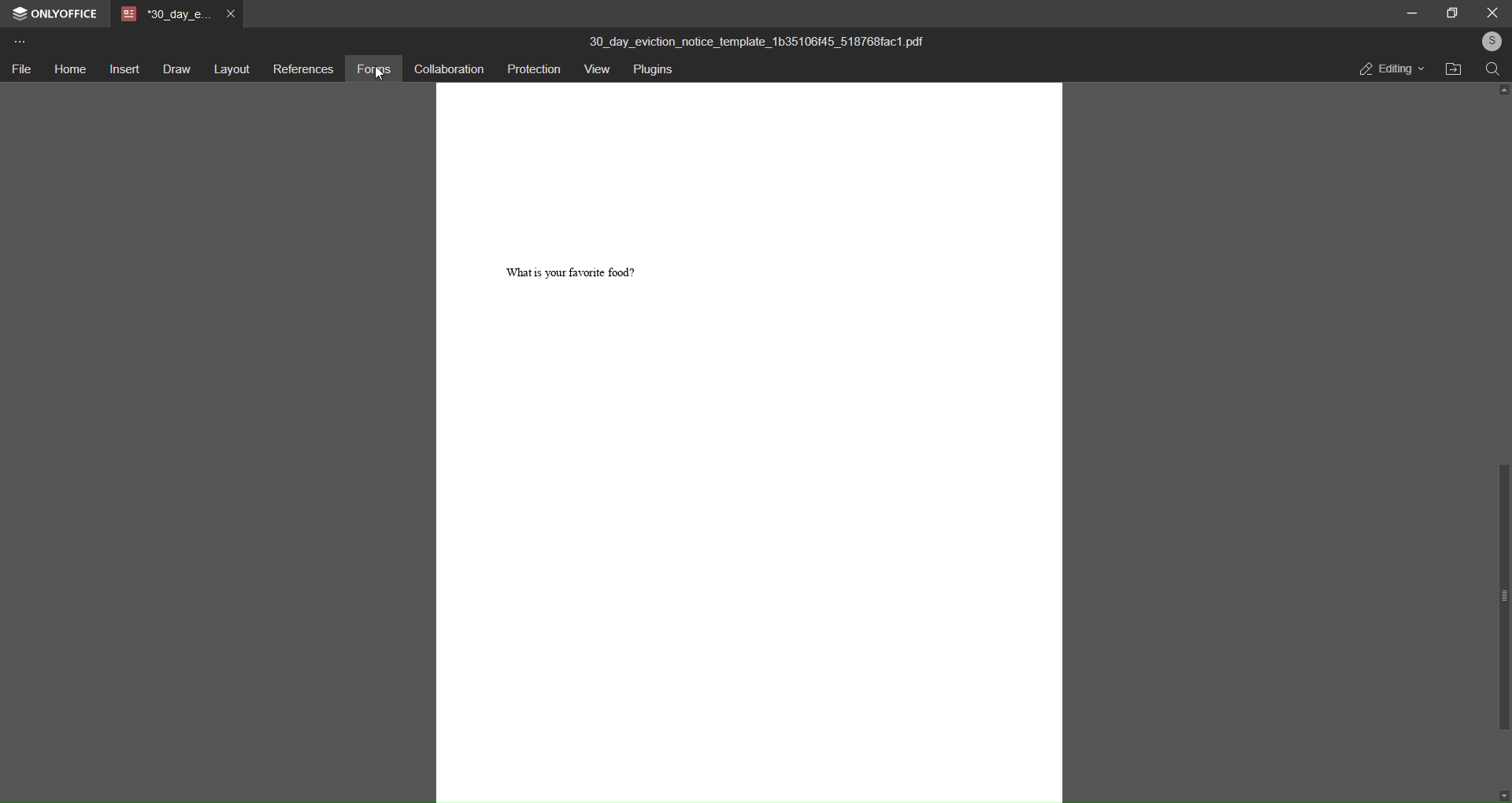 The width and height of the screenshot is (1512, 803). What do you see at coordinates (1503, 597) in the screenshot?
I see `scroll bar` at bounding box center [1503, 597].